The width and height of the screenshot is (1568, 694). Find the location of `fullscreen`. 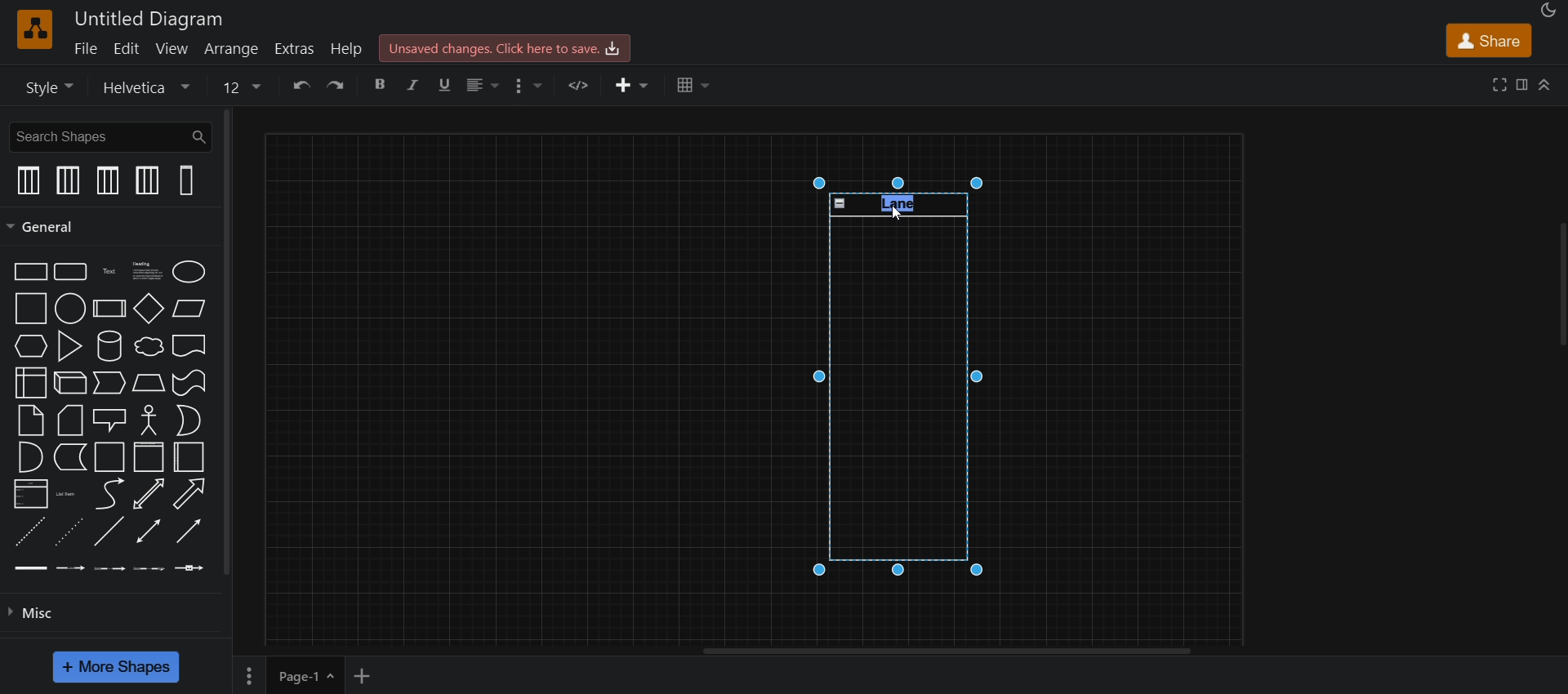

fullscreen is located at coordinates (1501, 84).